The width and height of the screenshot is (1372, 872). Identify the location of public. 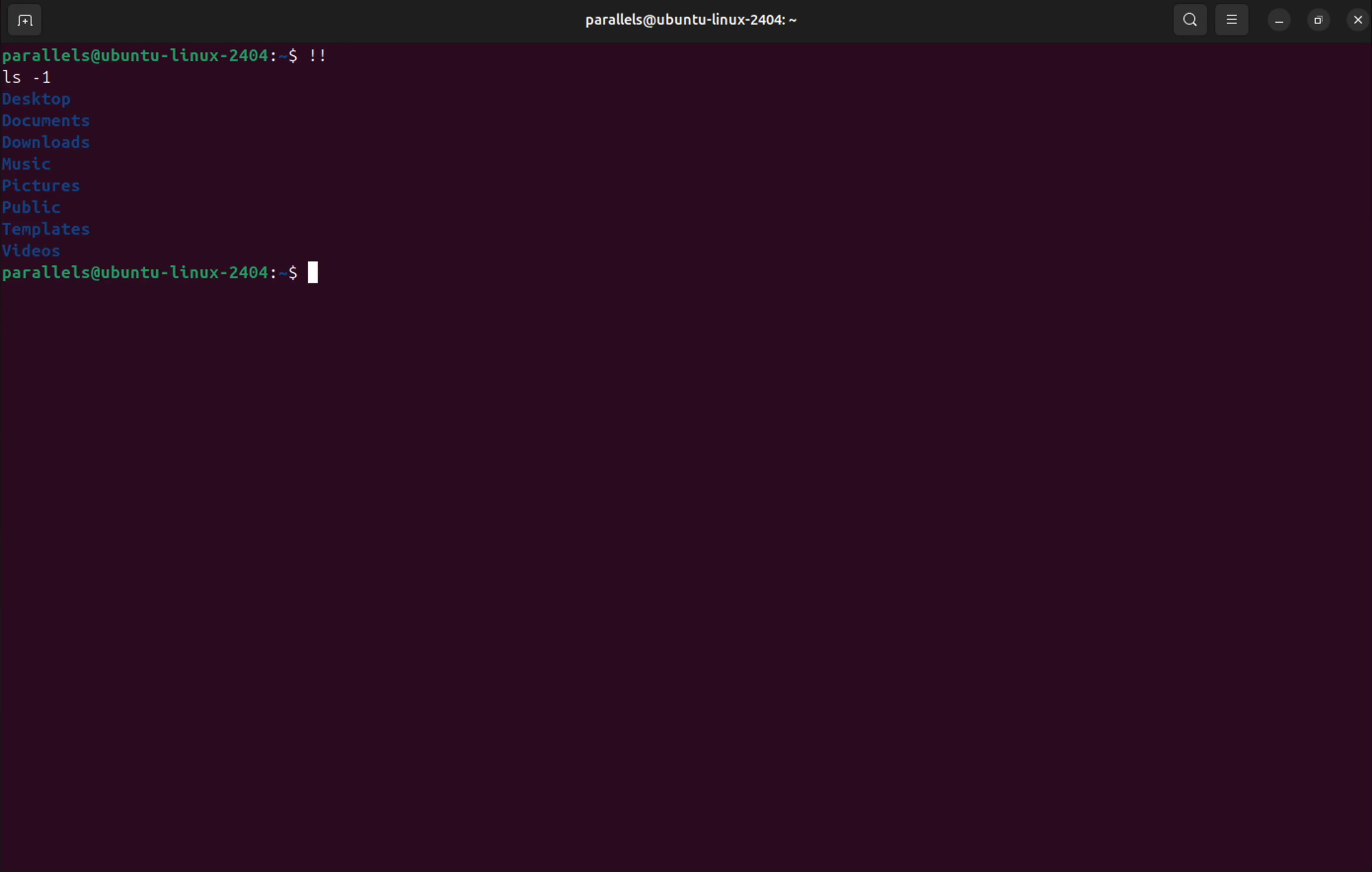
(40, 208).